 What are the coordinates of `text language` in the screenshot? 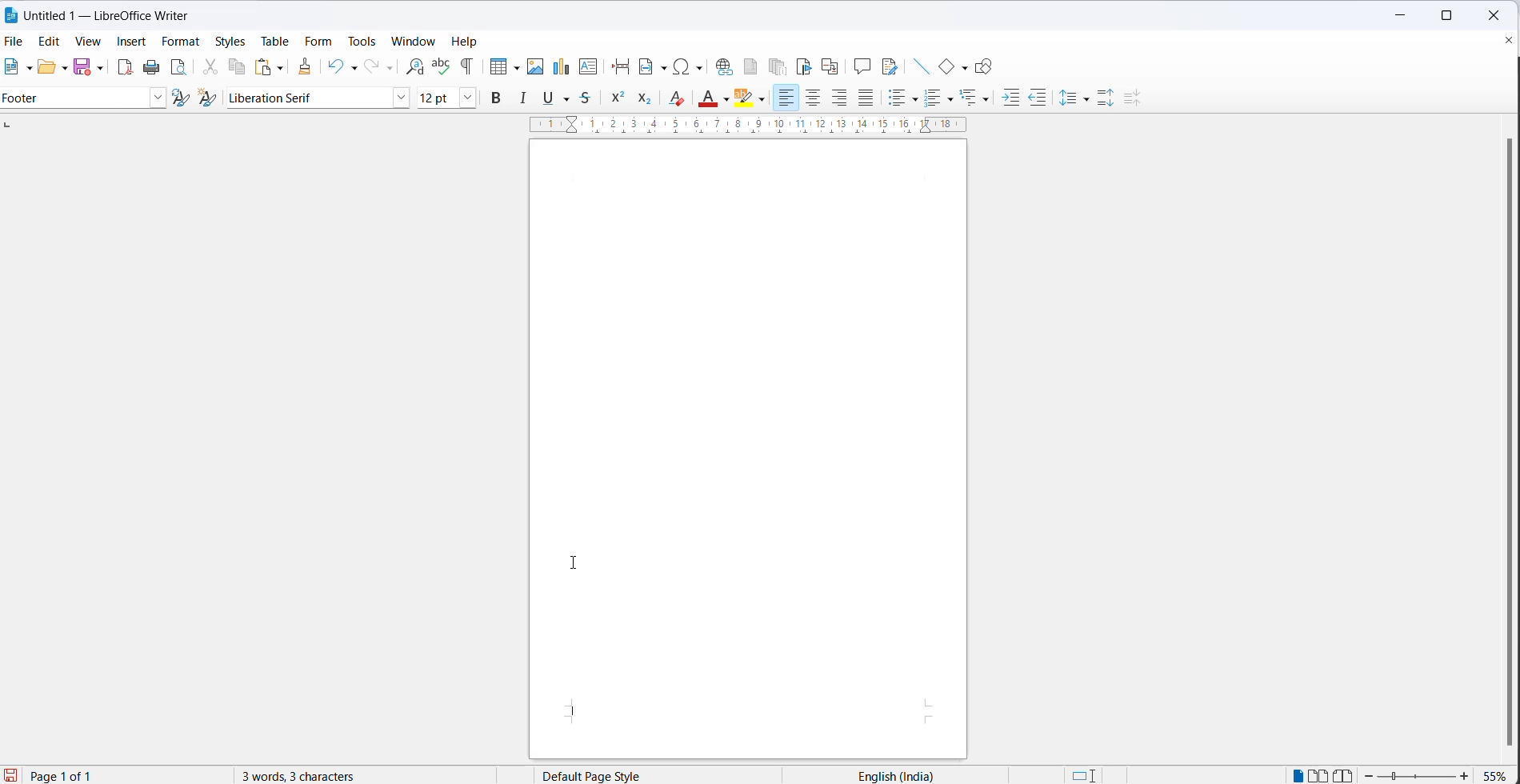 It's located at (915, 774).